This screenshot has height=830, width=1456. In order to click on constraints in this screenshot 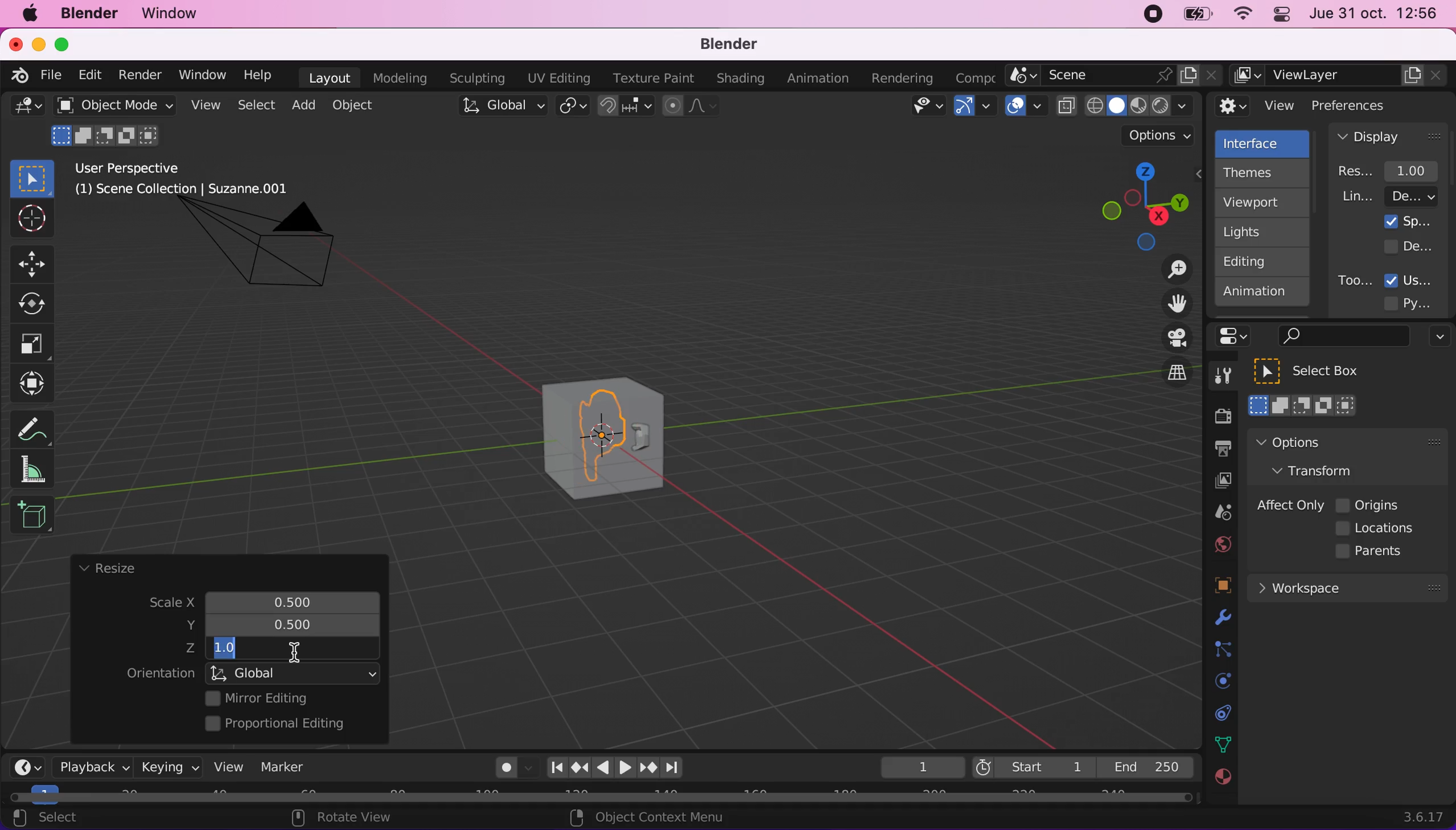, I will do `click(1221, 650)`.